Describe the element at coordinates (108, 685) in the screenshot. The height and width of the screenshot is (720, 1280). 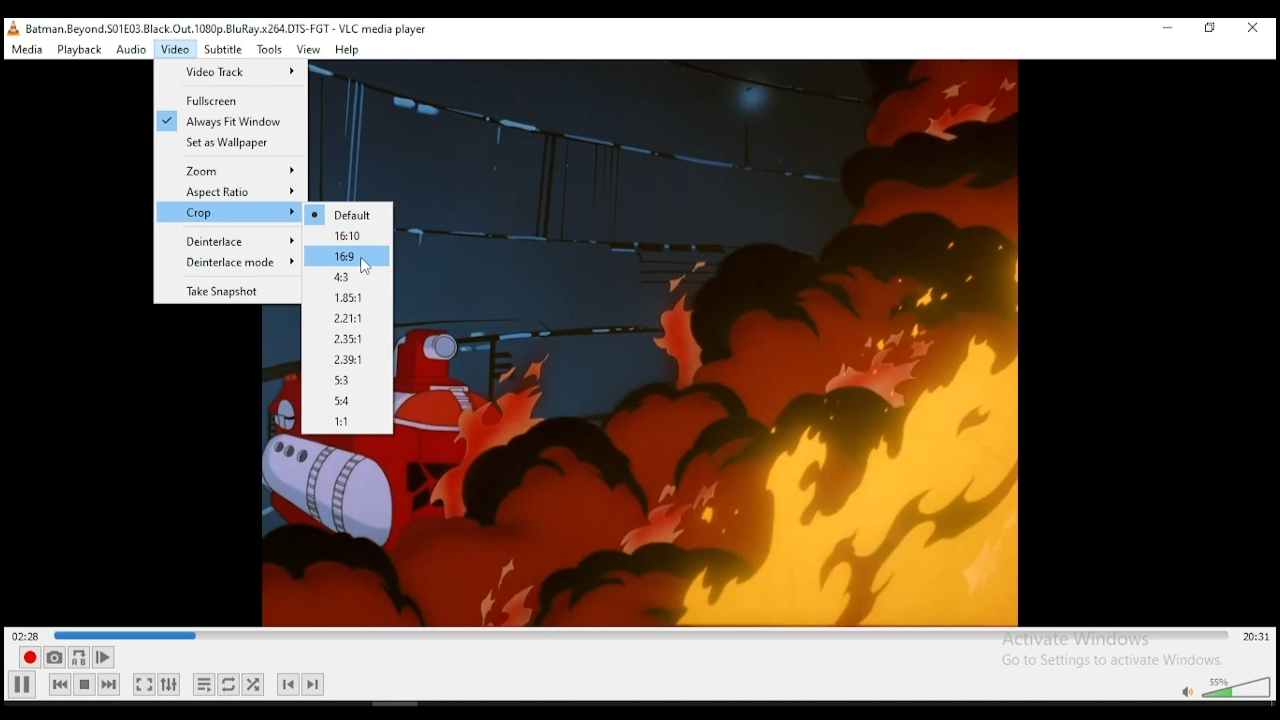
I see `next media in playlist, skips forward when held` at that location.